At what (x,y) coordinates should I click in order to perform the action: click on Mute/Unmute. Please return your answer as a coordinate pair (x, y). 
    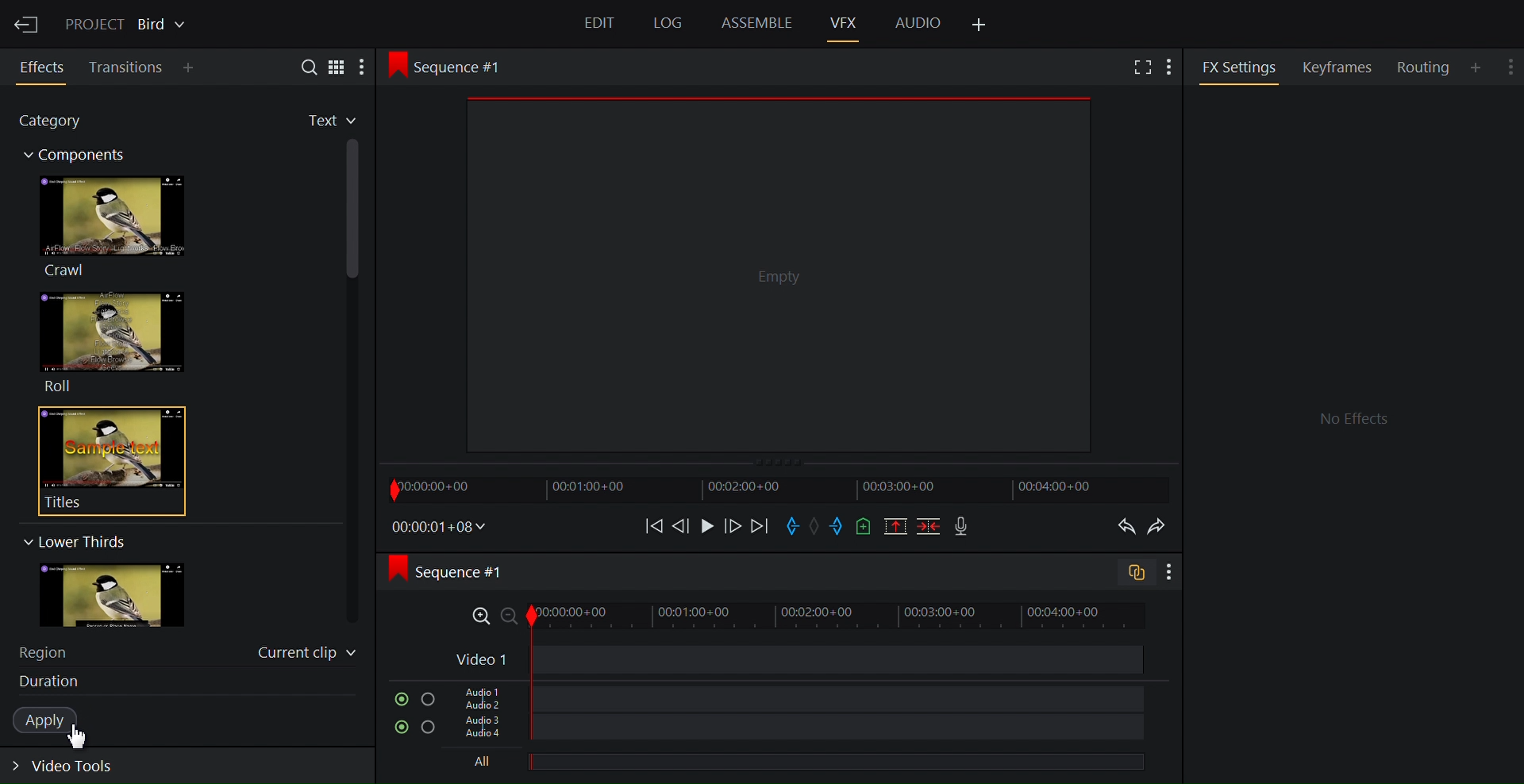
    Looking at the image, I should click on (398, 728).